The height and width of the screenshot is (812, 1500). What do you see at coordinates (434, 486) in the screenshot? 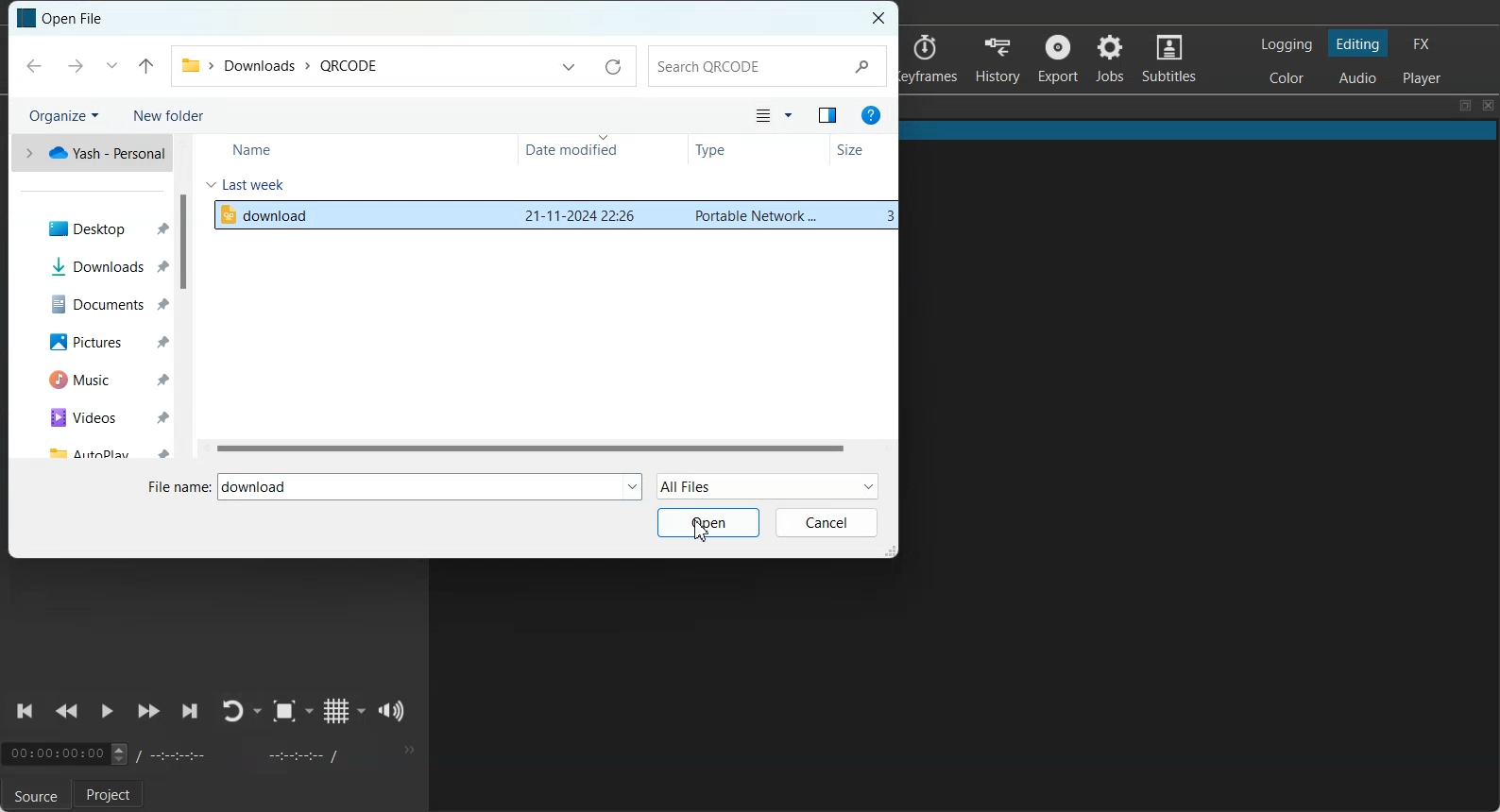
I see `File Selected` at bounding box center [434, 486].